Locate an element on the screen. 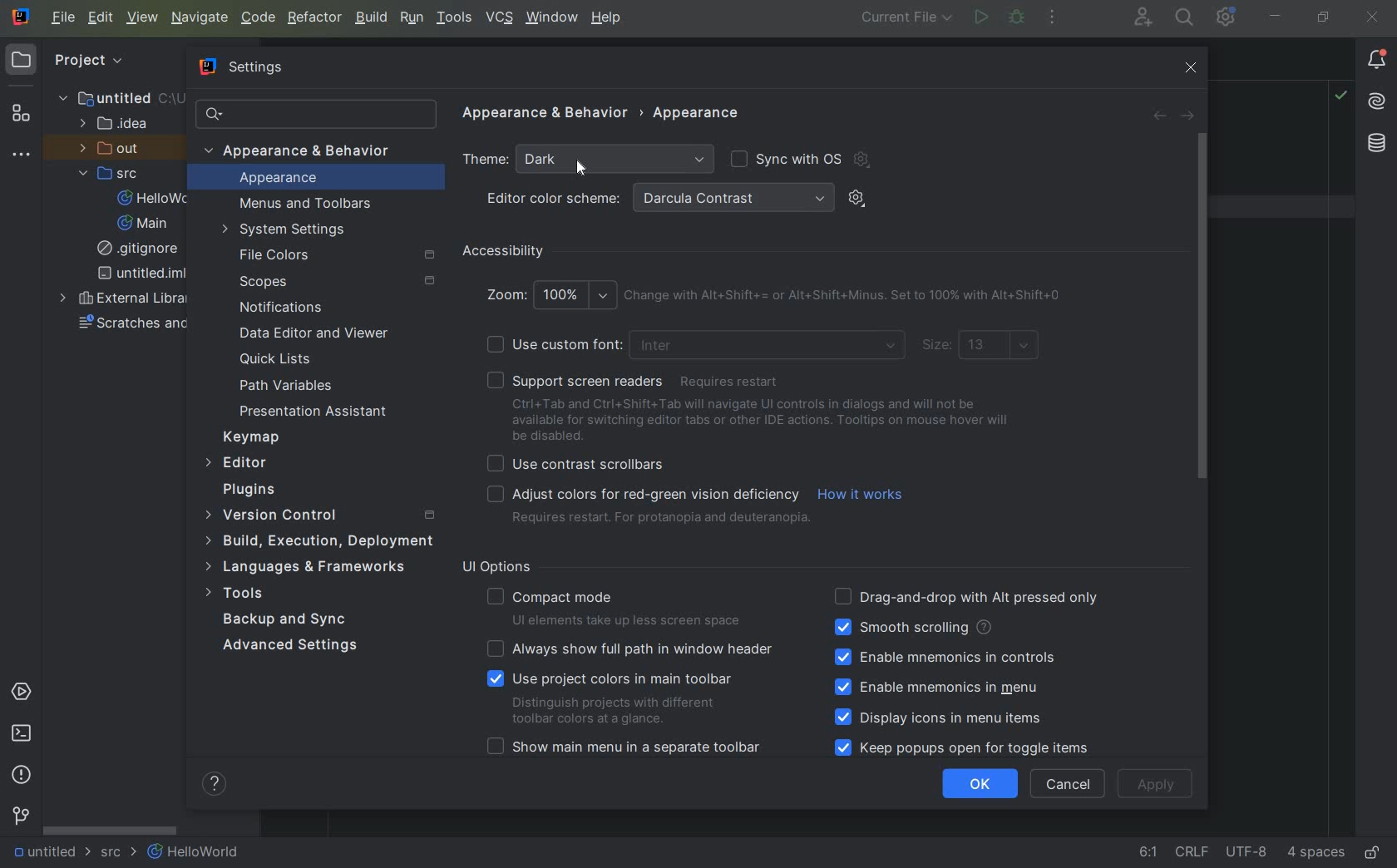  CODE is located at coordinates (258, 17).